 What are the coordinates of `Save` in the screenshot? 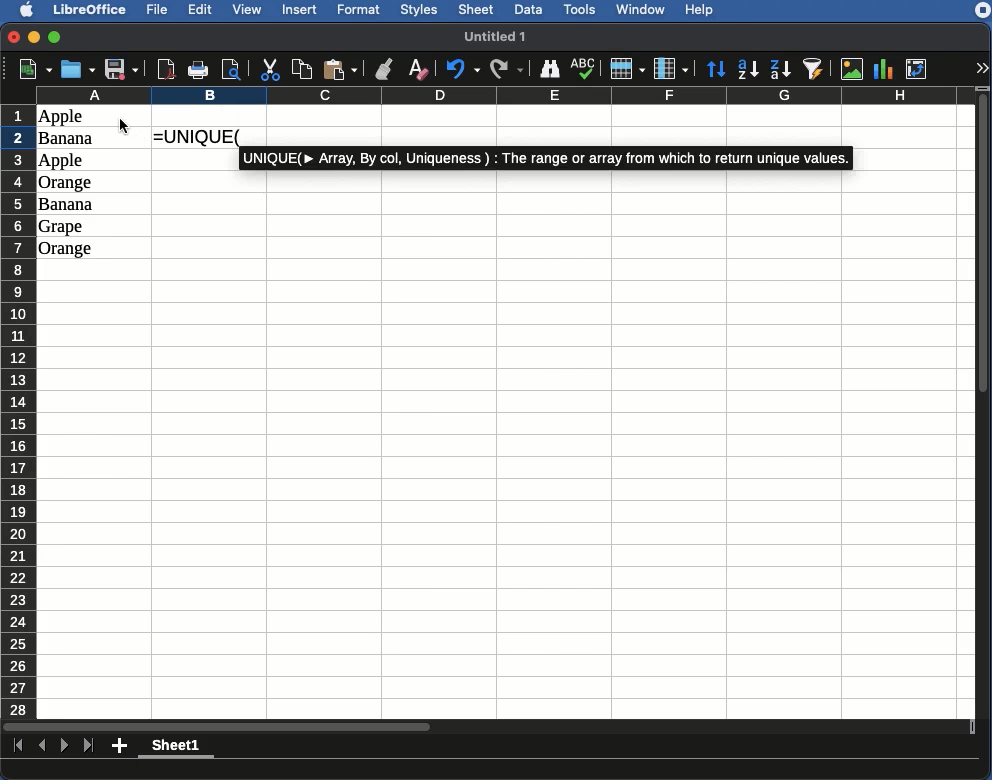 It's located at (121, 69).